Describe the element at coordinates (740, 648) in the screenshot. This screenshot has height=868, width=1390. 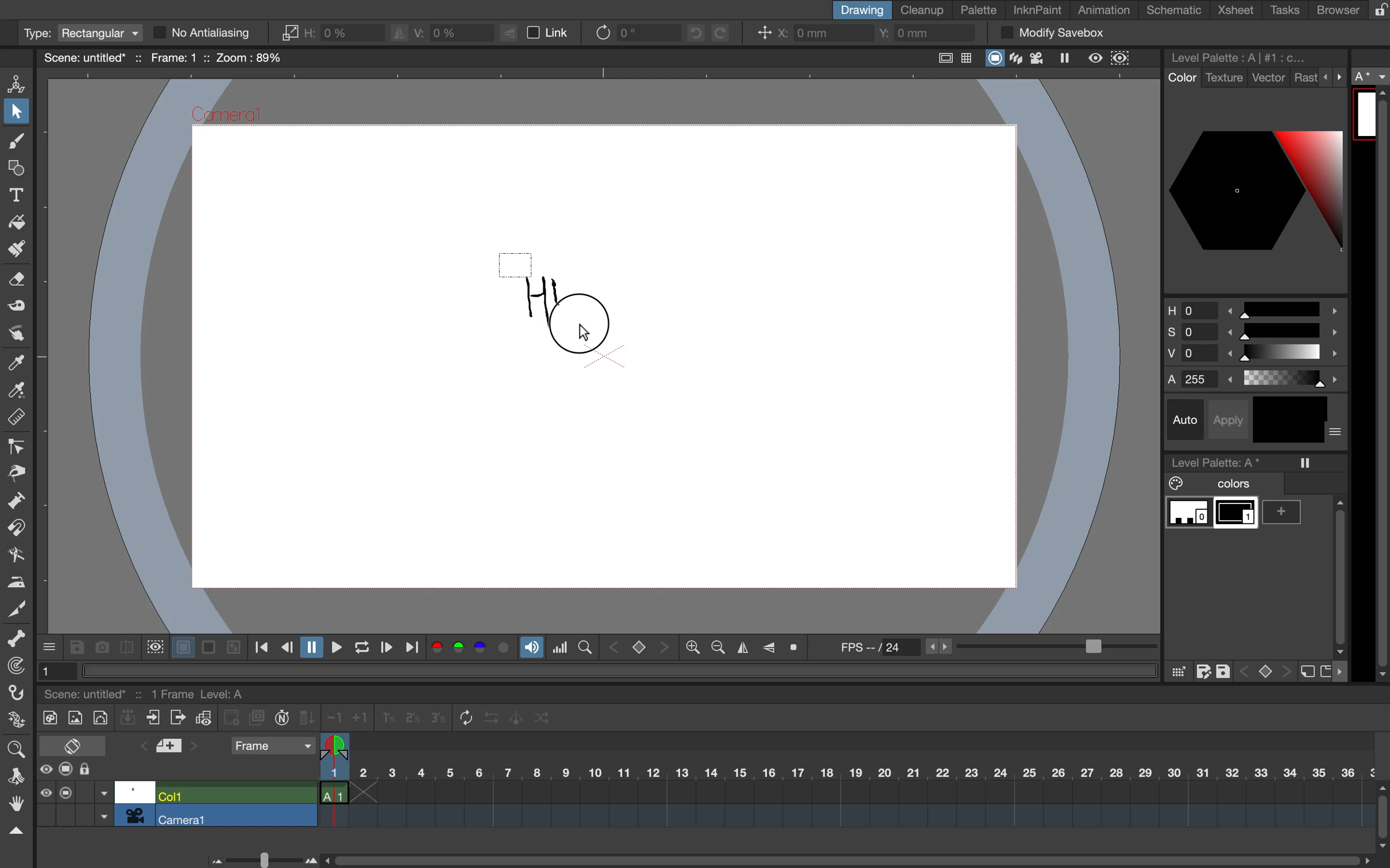
I see `flip horizontally` at that location.